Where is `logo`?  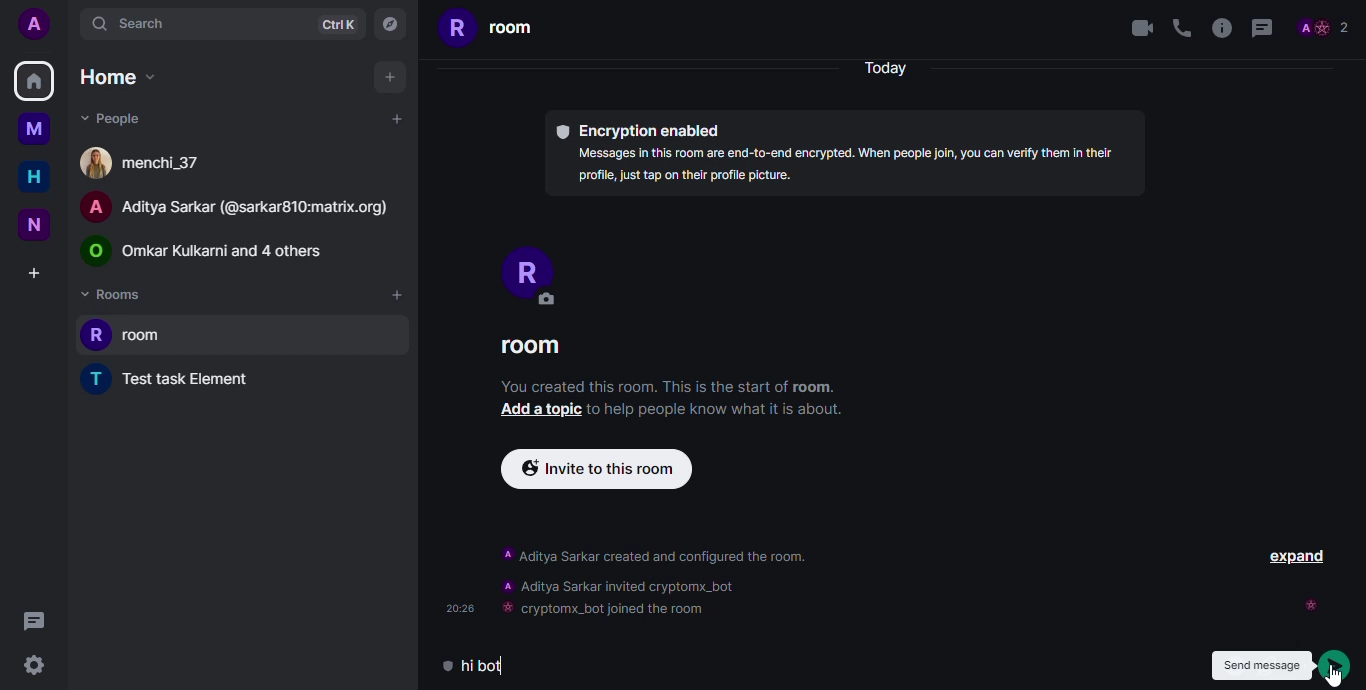 logo is located at coordinates (94, 250).